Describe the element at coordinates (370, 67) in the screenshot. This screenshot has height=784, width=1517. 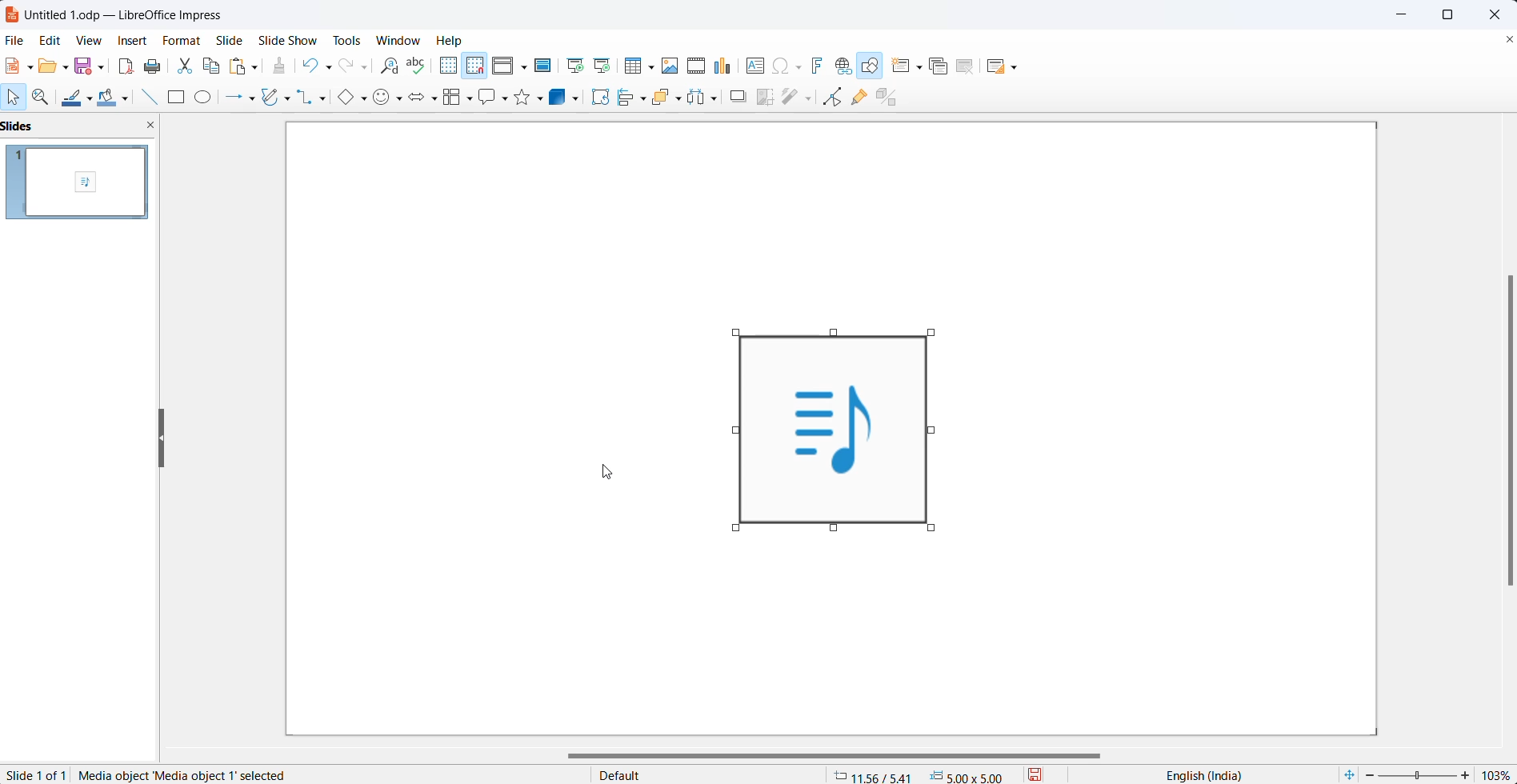
I see `actions to redo dropdown button` at that location.